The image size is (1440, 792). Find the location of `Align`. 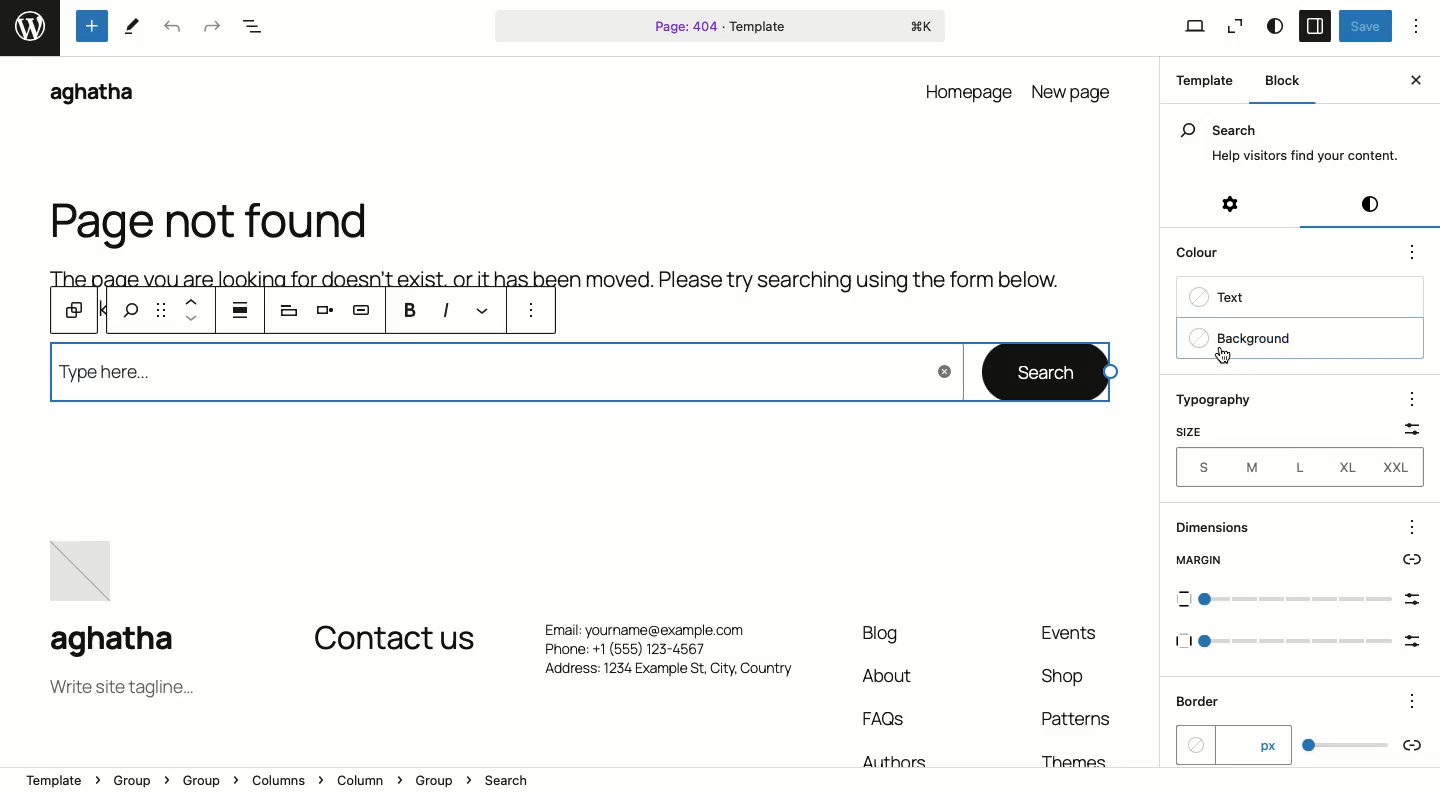

Align is located at coordinates (321, 312).